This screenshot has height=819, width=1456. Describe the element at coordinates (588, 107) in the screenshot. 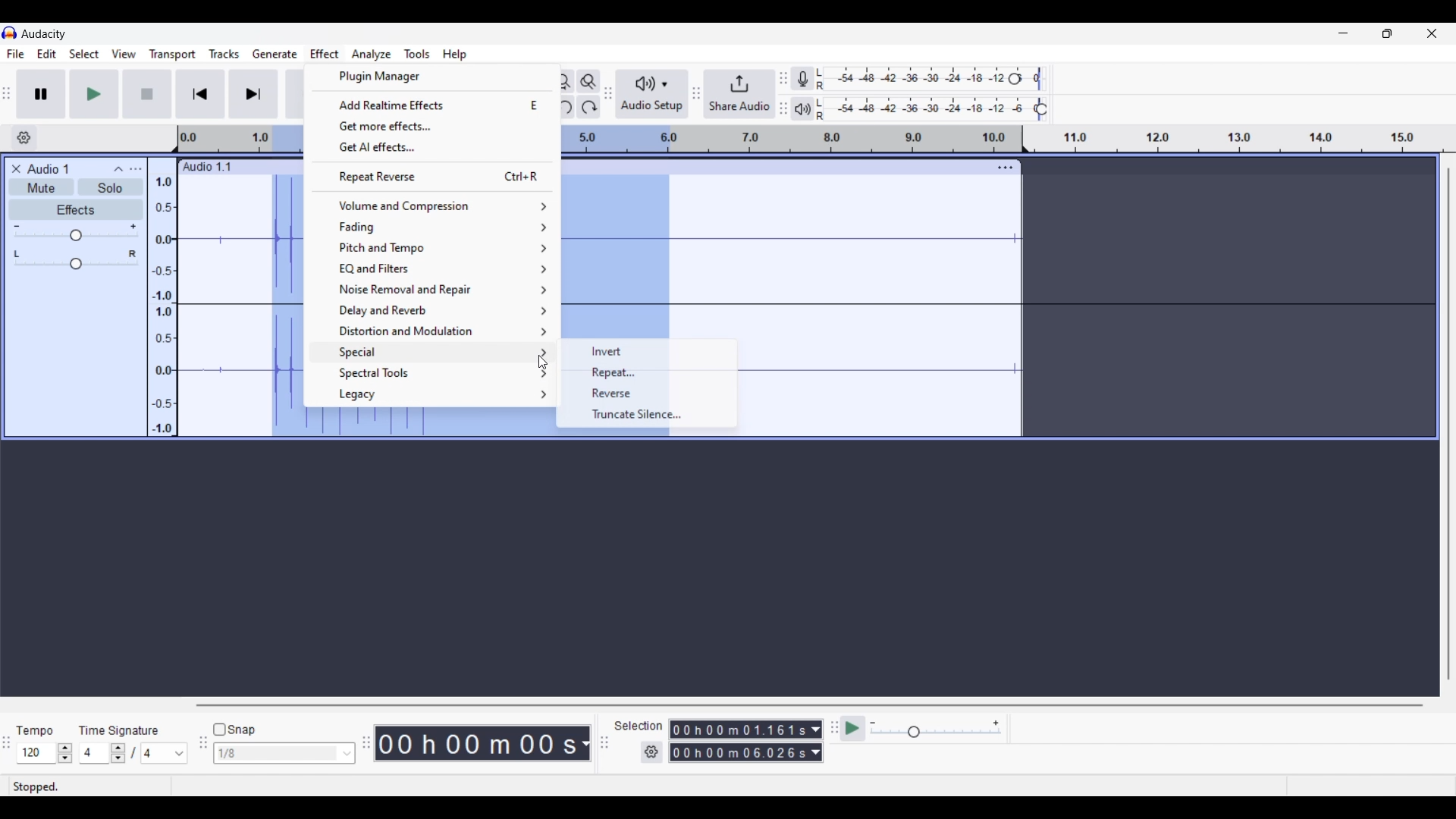

I see `Redo` at that location.